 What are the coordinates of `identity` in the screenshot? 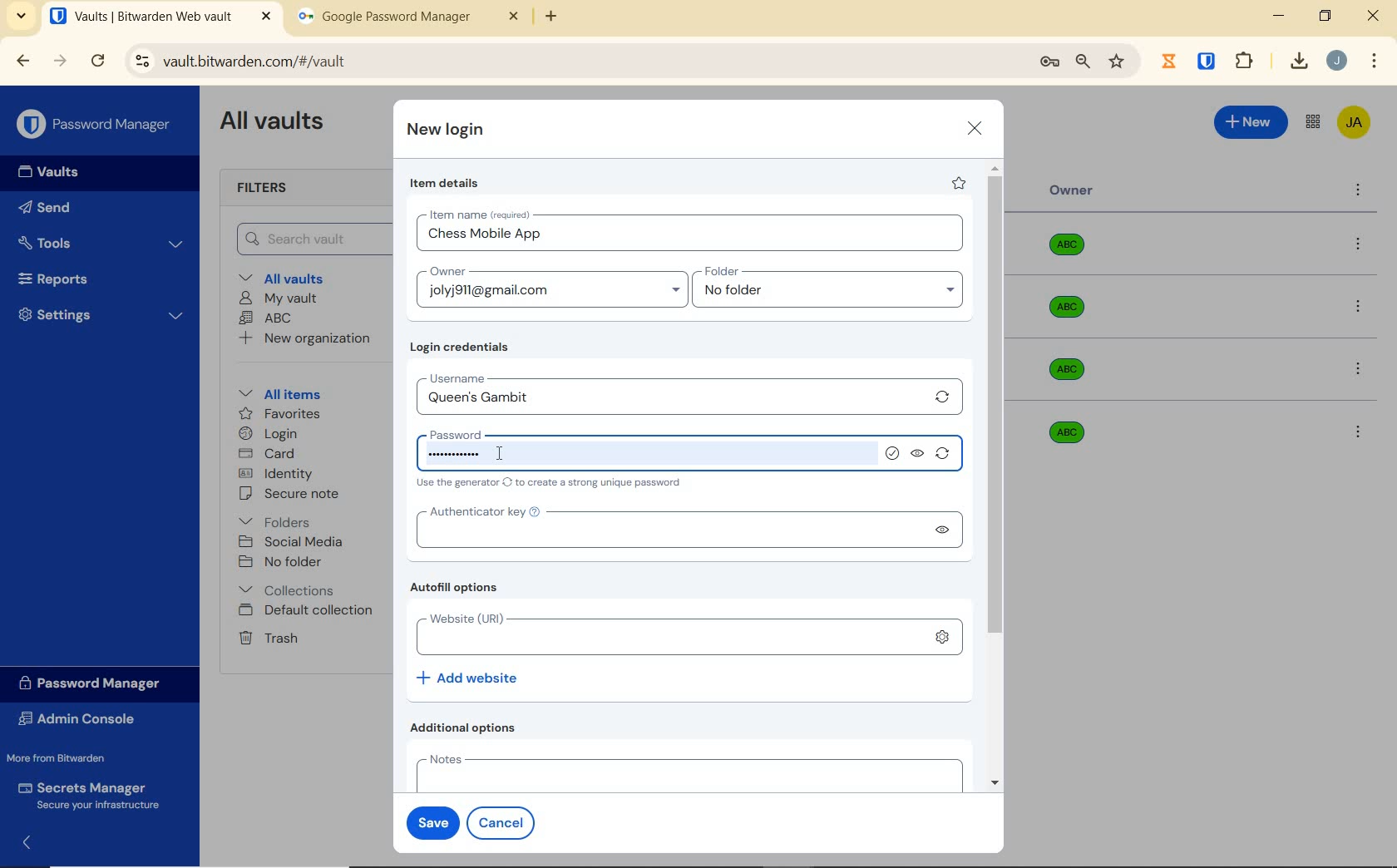 It's located at (276, 474).